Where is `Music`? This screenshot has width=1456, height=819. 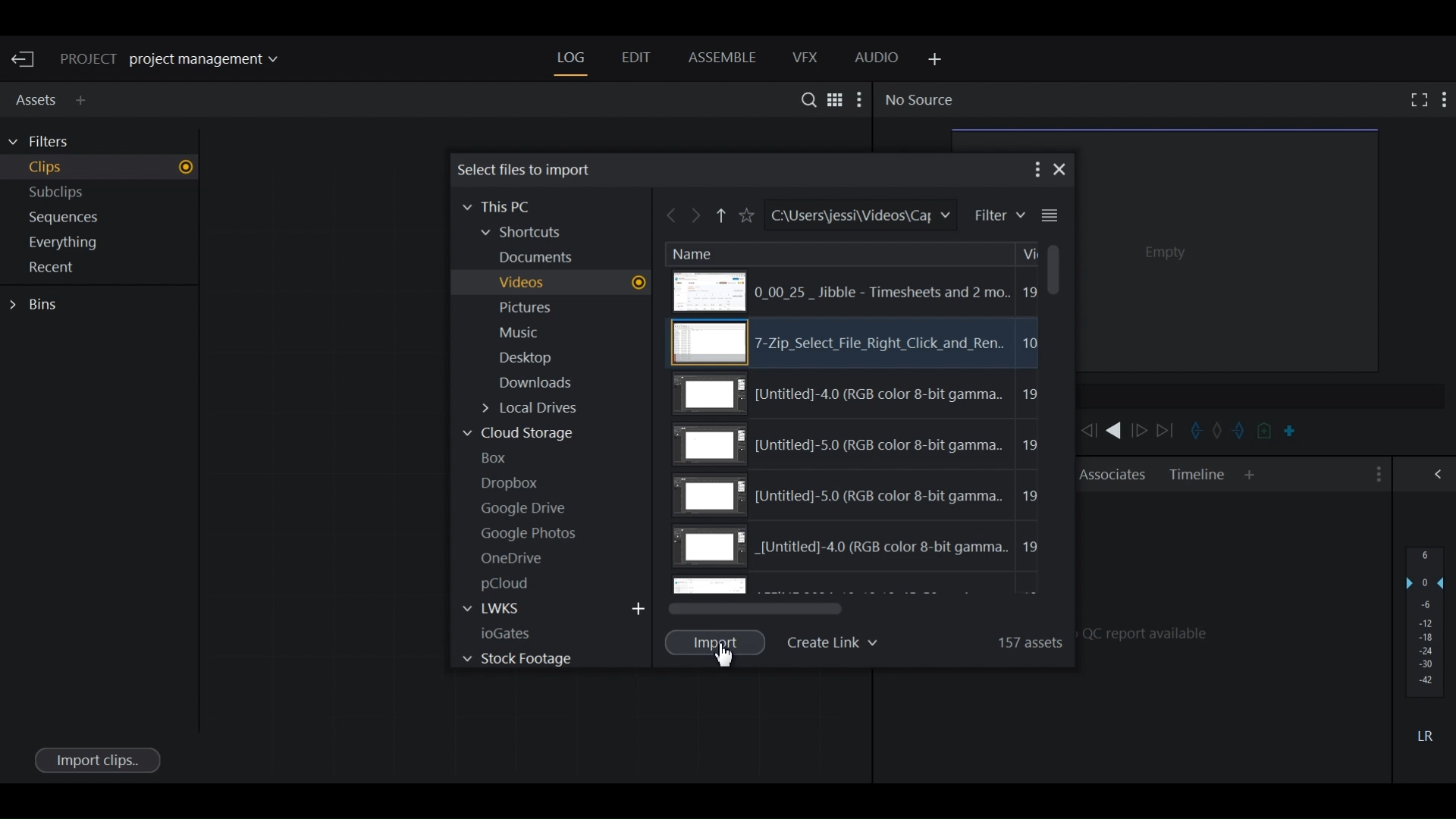 Music is located at coordinates (522, 333).